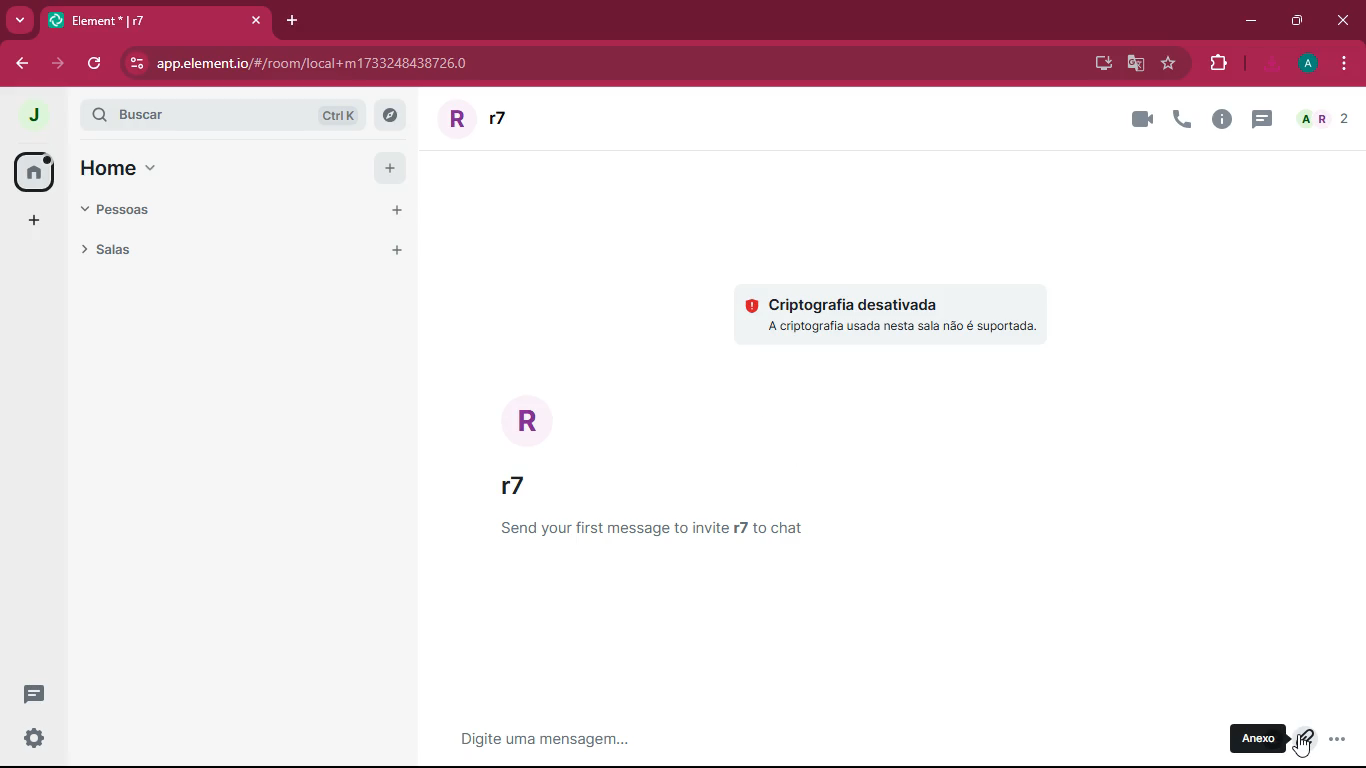 The height and width of the screenshot is (768, 1366). I want to click on people, so click(127, 210).